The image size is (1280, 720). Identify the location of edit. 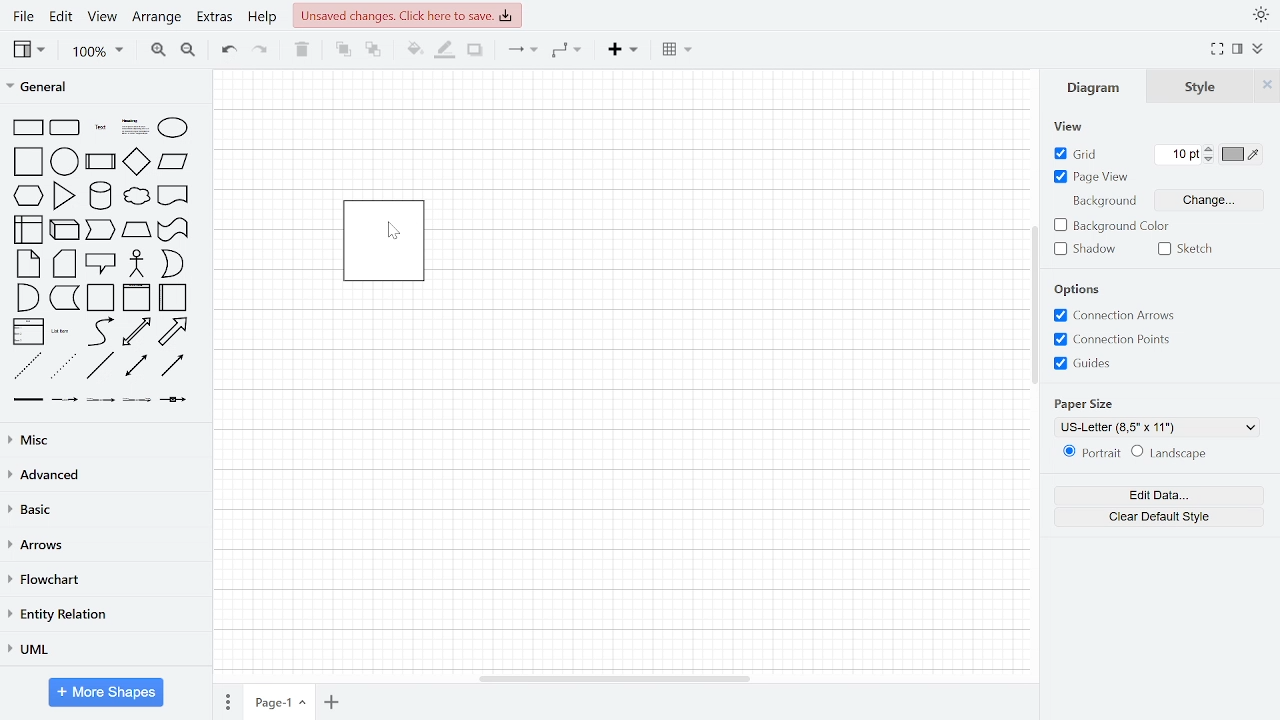
(62, 17).